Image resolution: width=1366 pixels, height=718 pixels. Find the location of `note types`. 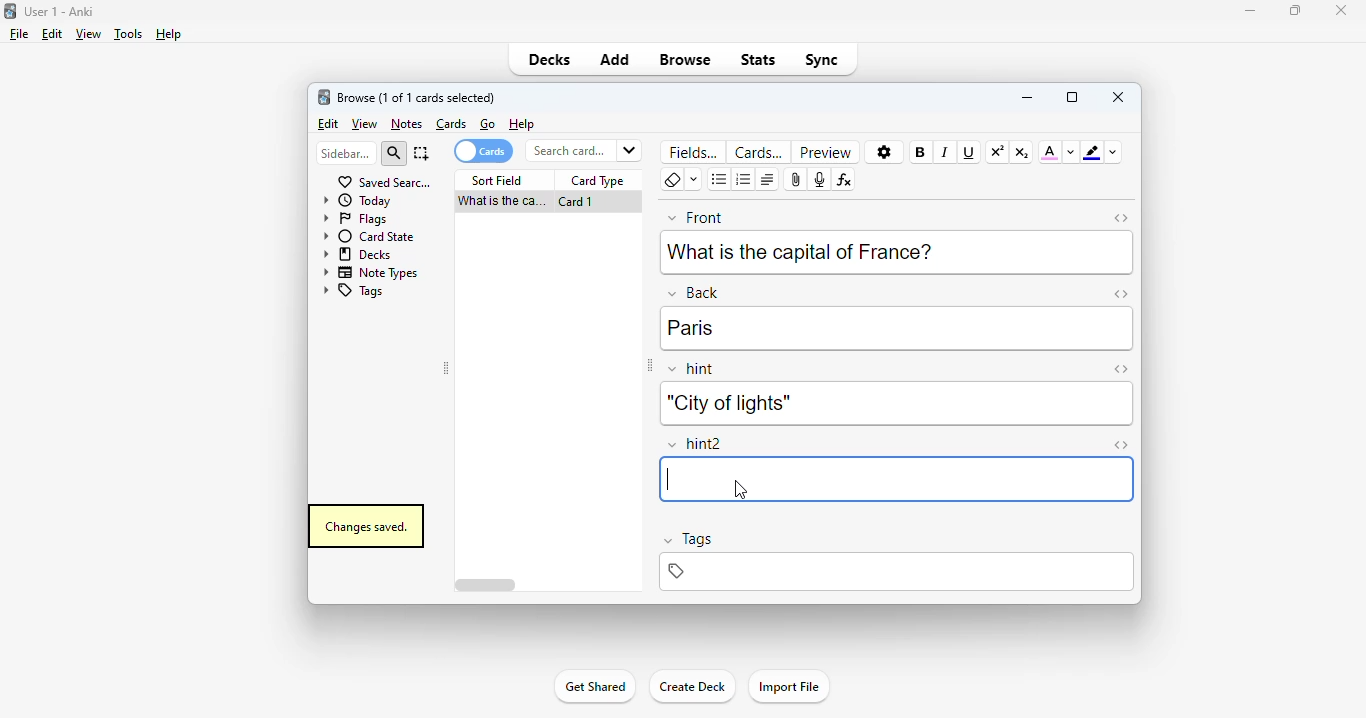

note types is located at coordinates (371, 272).